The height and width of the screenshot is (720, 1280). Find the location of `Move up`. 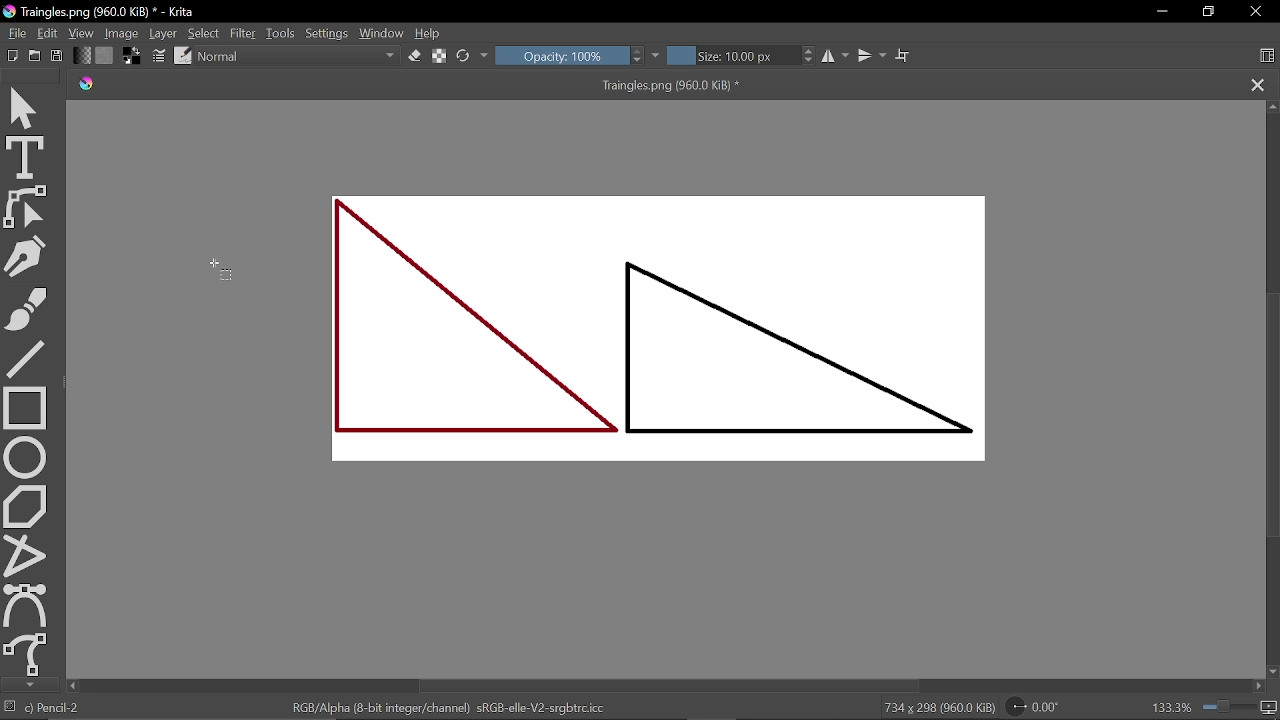

Move up is located at coordinates (1272, 106).